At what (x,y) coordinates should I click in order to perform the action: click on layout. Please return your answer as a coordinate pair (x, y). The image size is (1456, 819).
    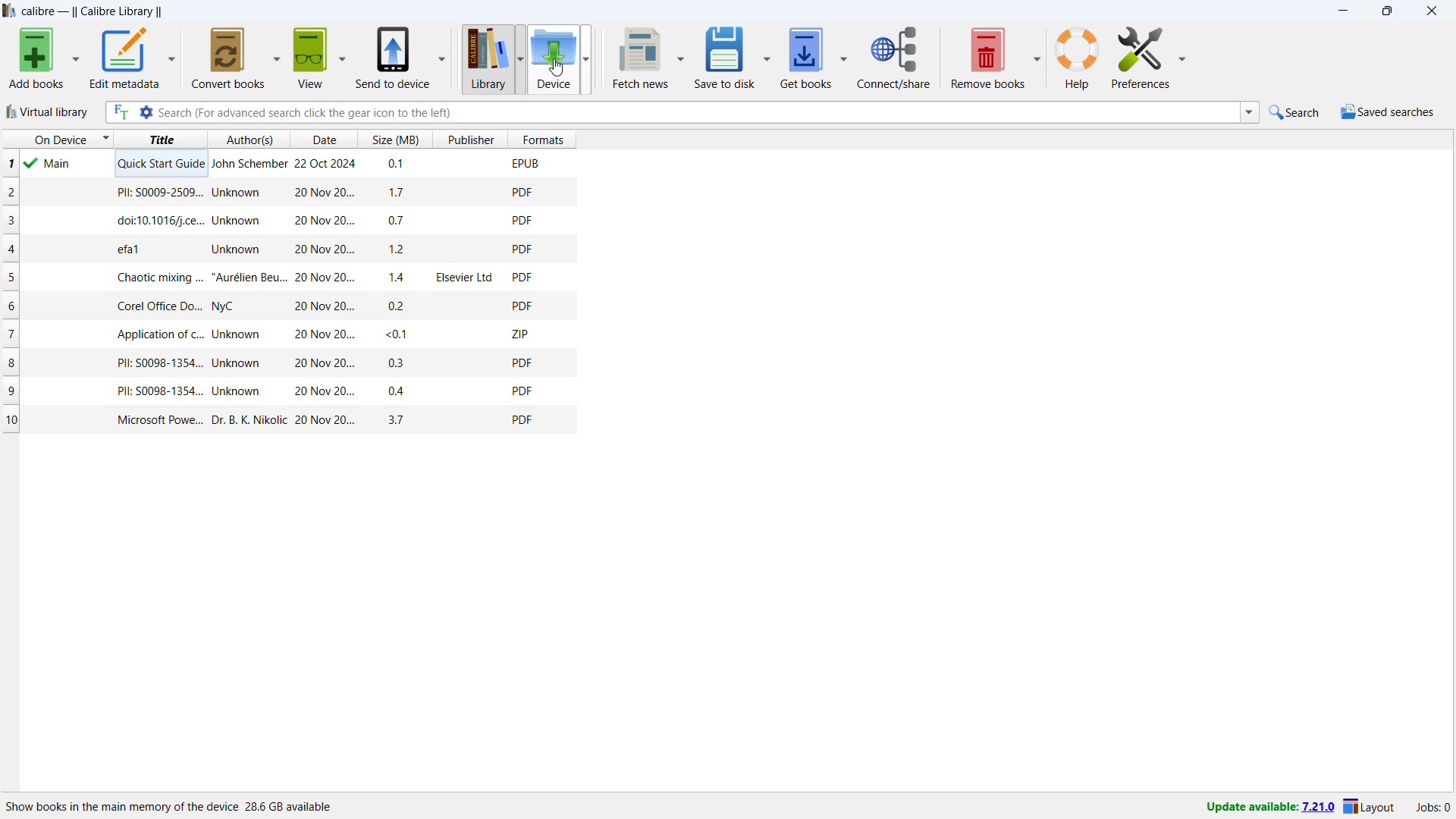
    Looking at the image, I should click on (1371, 807).